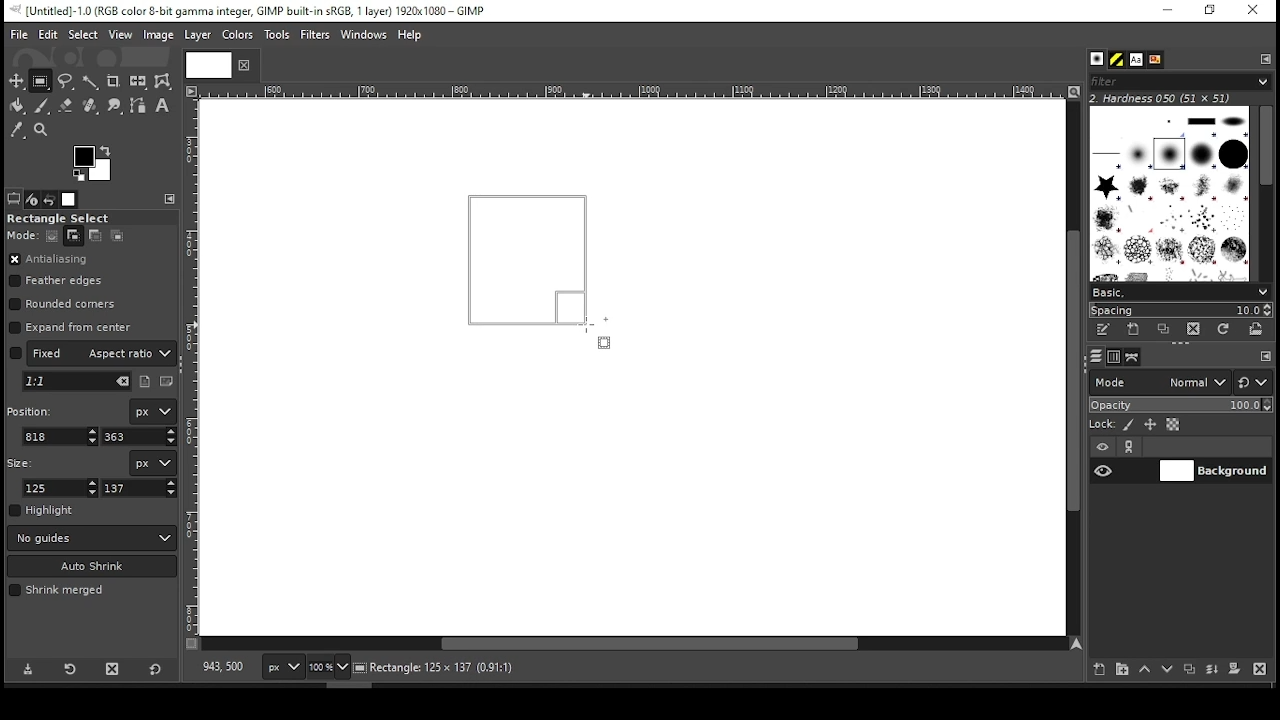 The width and height of the screenshot is (1280, 720). What do you see at coordinates (22, 235) in the screenshot?
I see `move:` at bounding box center [22, 235].